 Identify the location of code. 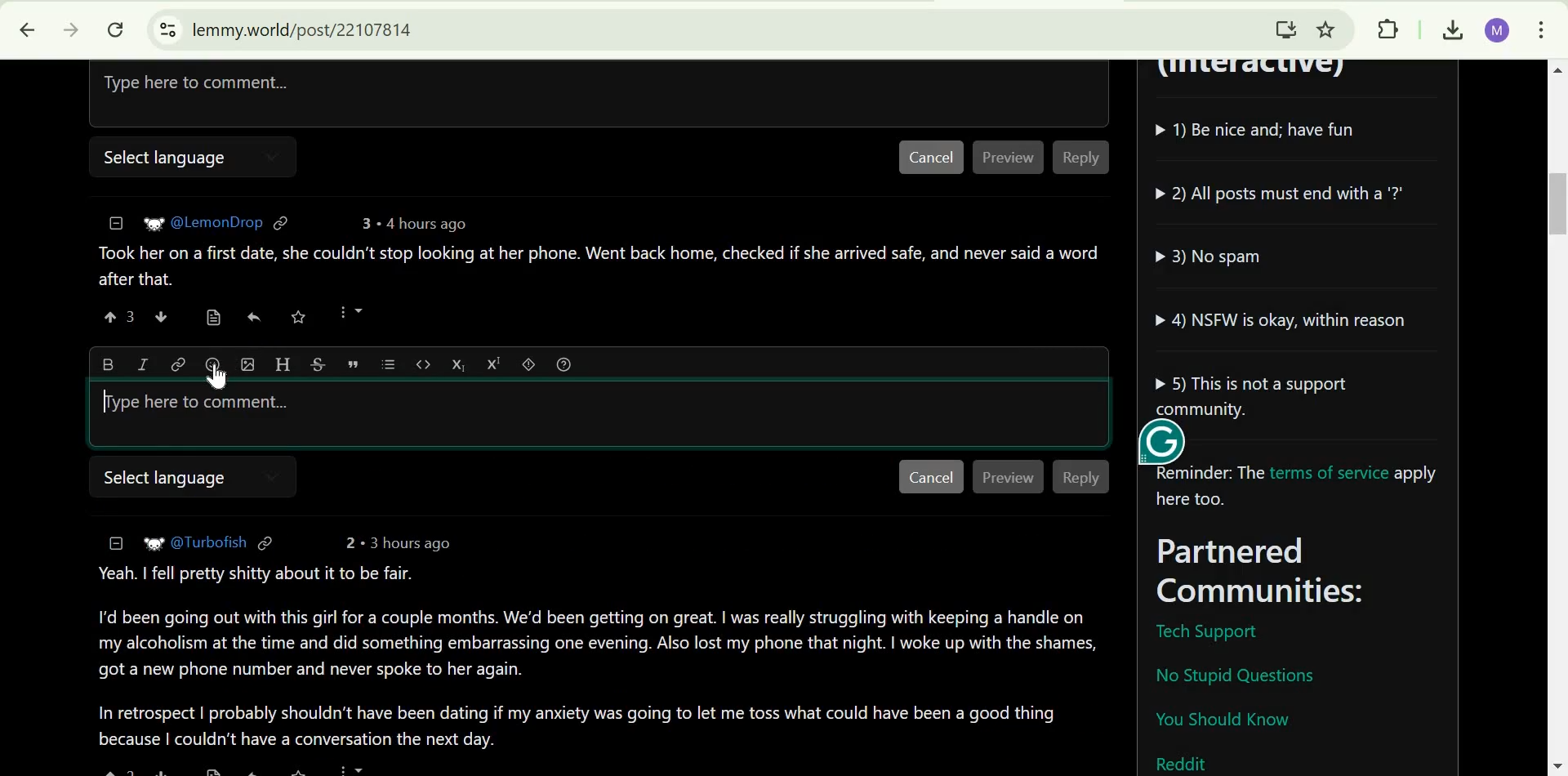
(422, 363).